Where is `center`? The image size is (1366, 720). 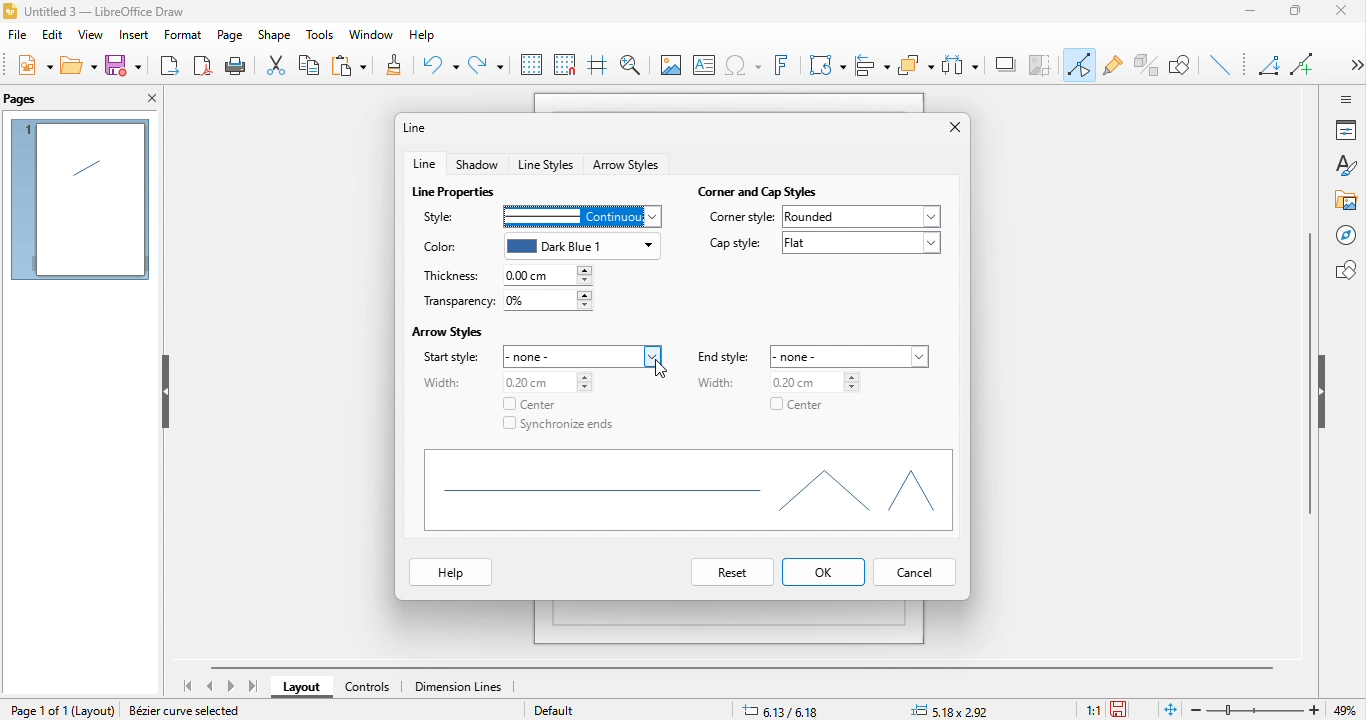
center is located at coordinates (798, 408).